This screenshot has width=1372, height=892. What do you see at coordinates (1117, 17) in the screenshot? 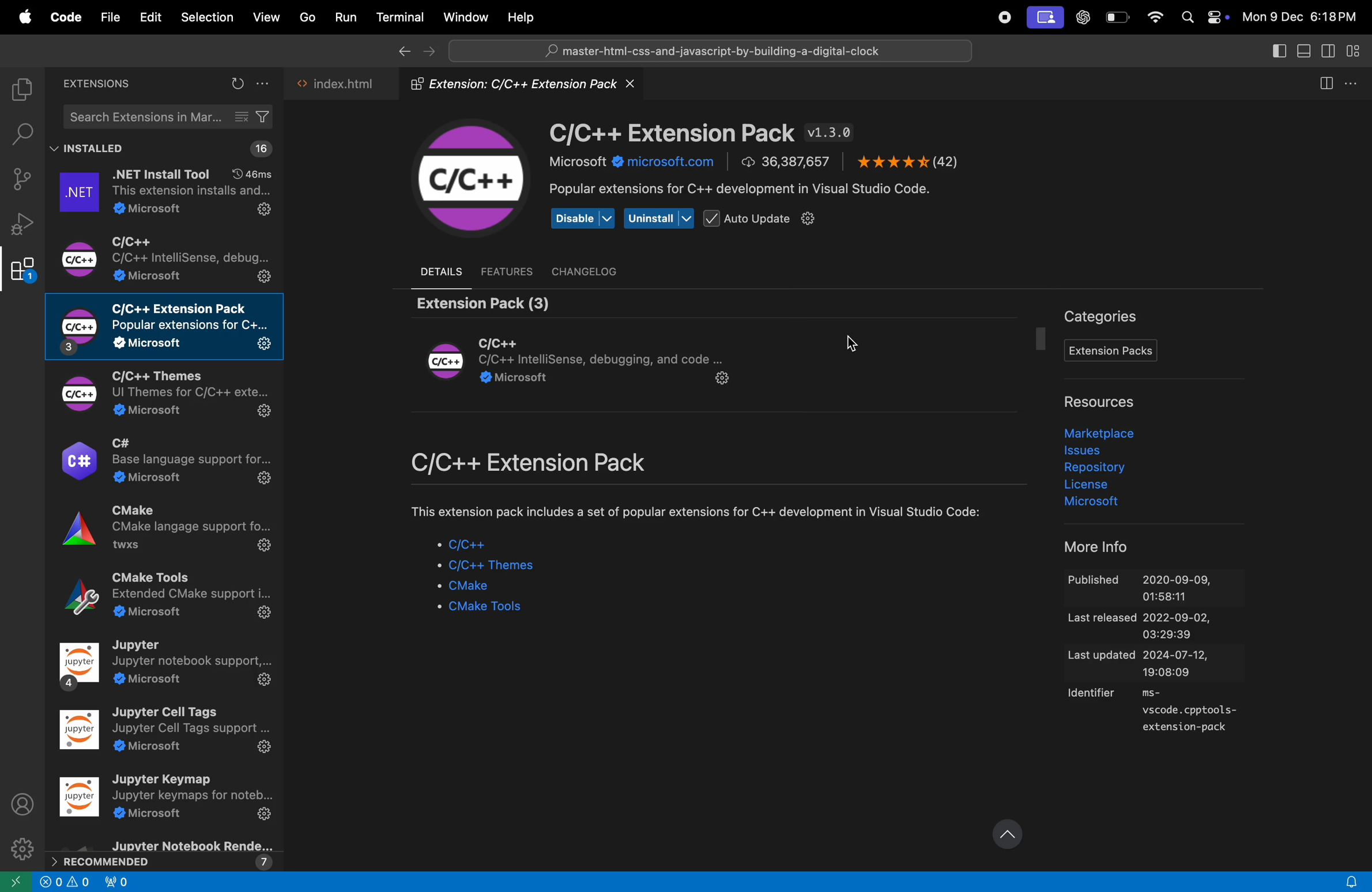
I see `battery` at bounding box center [1117, 17].